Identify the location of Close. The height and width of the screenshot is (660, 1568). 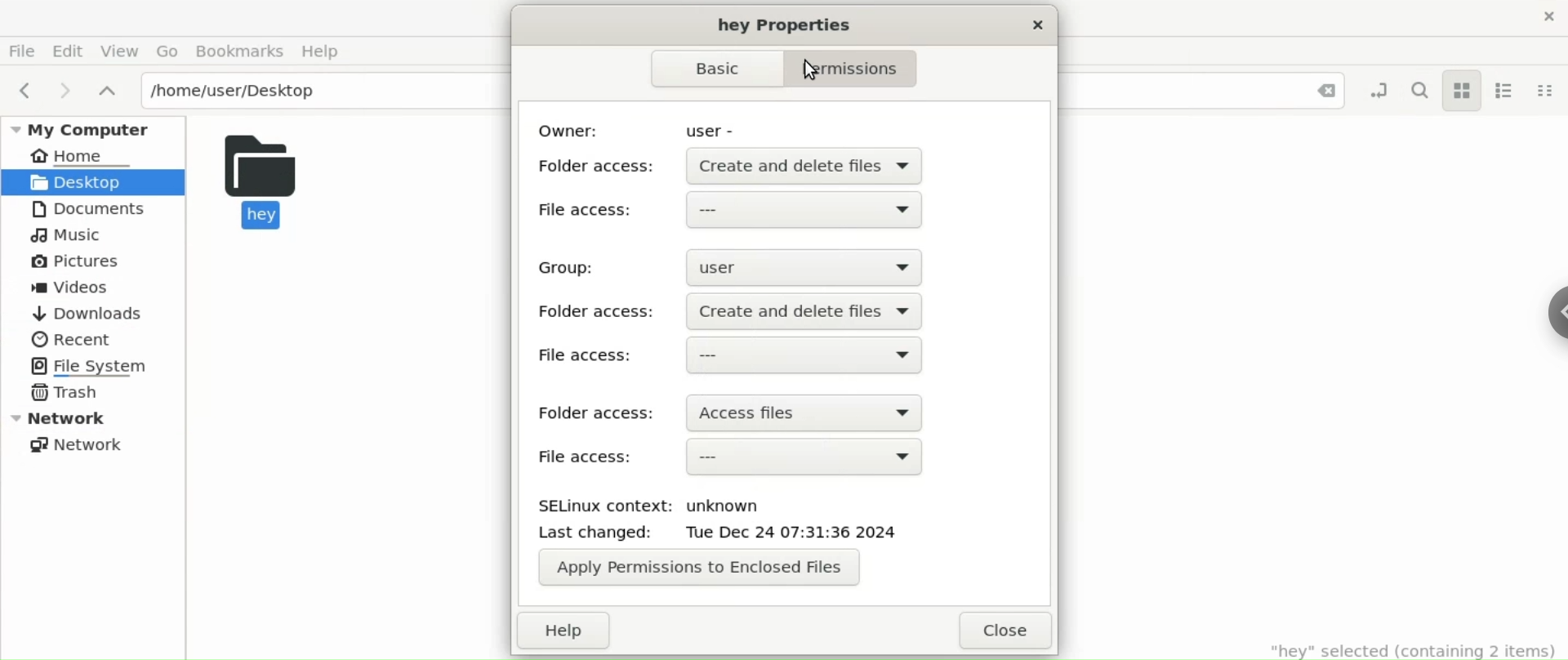
(1535, 16).